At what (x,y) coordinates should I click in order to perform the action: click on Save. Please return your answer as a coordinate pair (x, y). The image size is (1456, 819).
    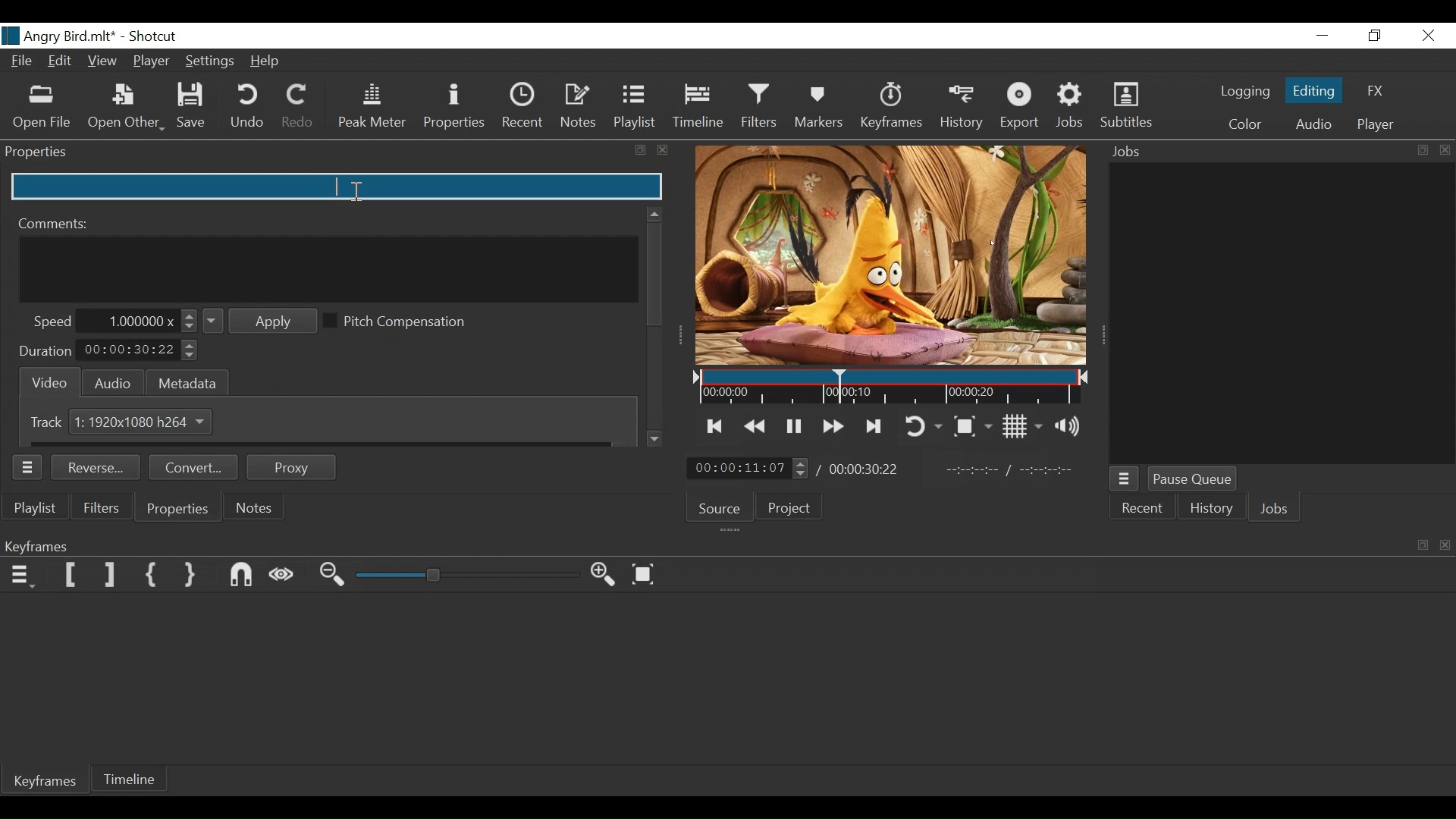
    Looking at the image, I should click on (193, 108).